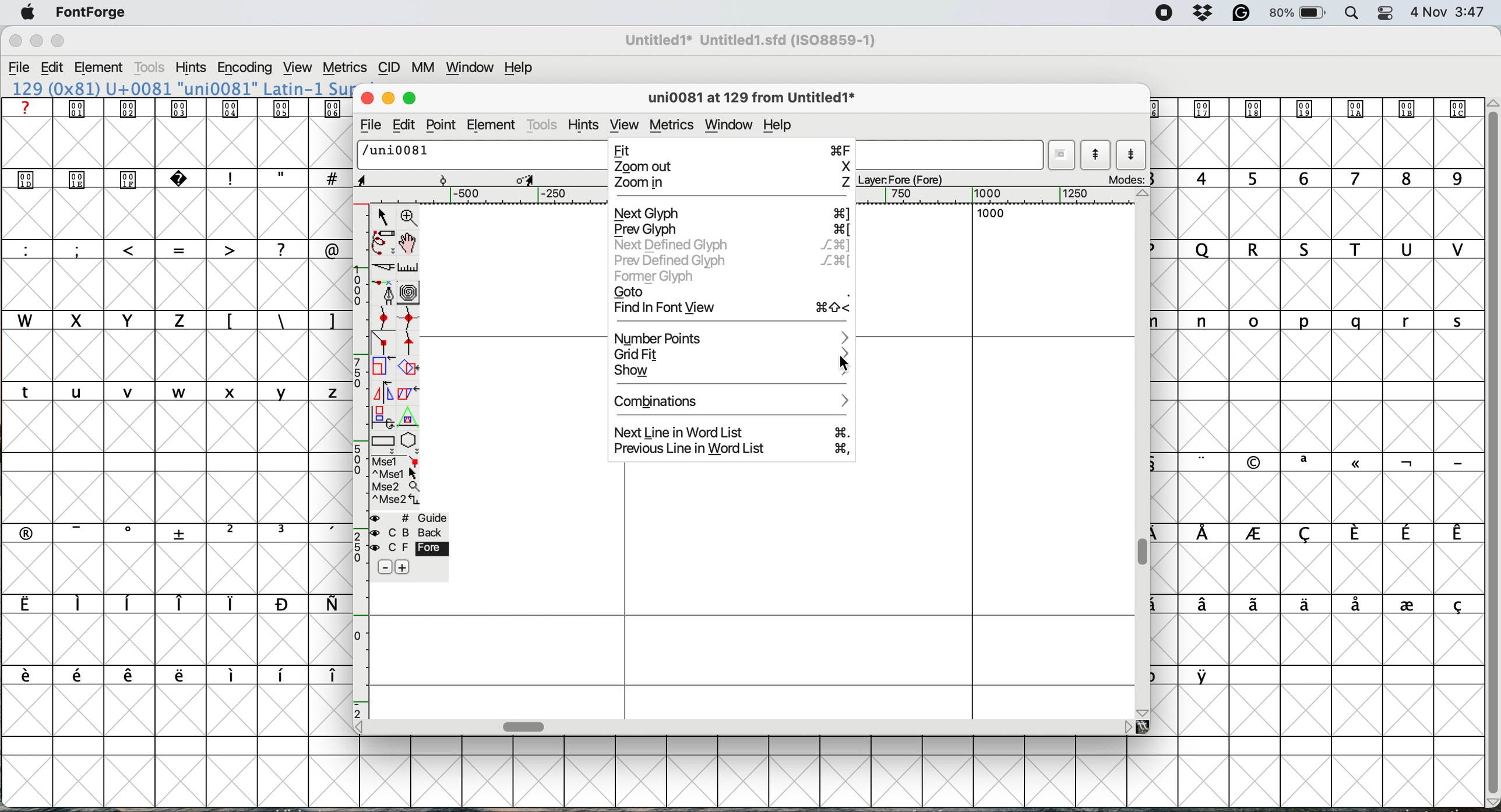  Describe the element at coordinates (358, 461) in the screenshot. I see `vertical scale` at that location.